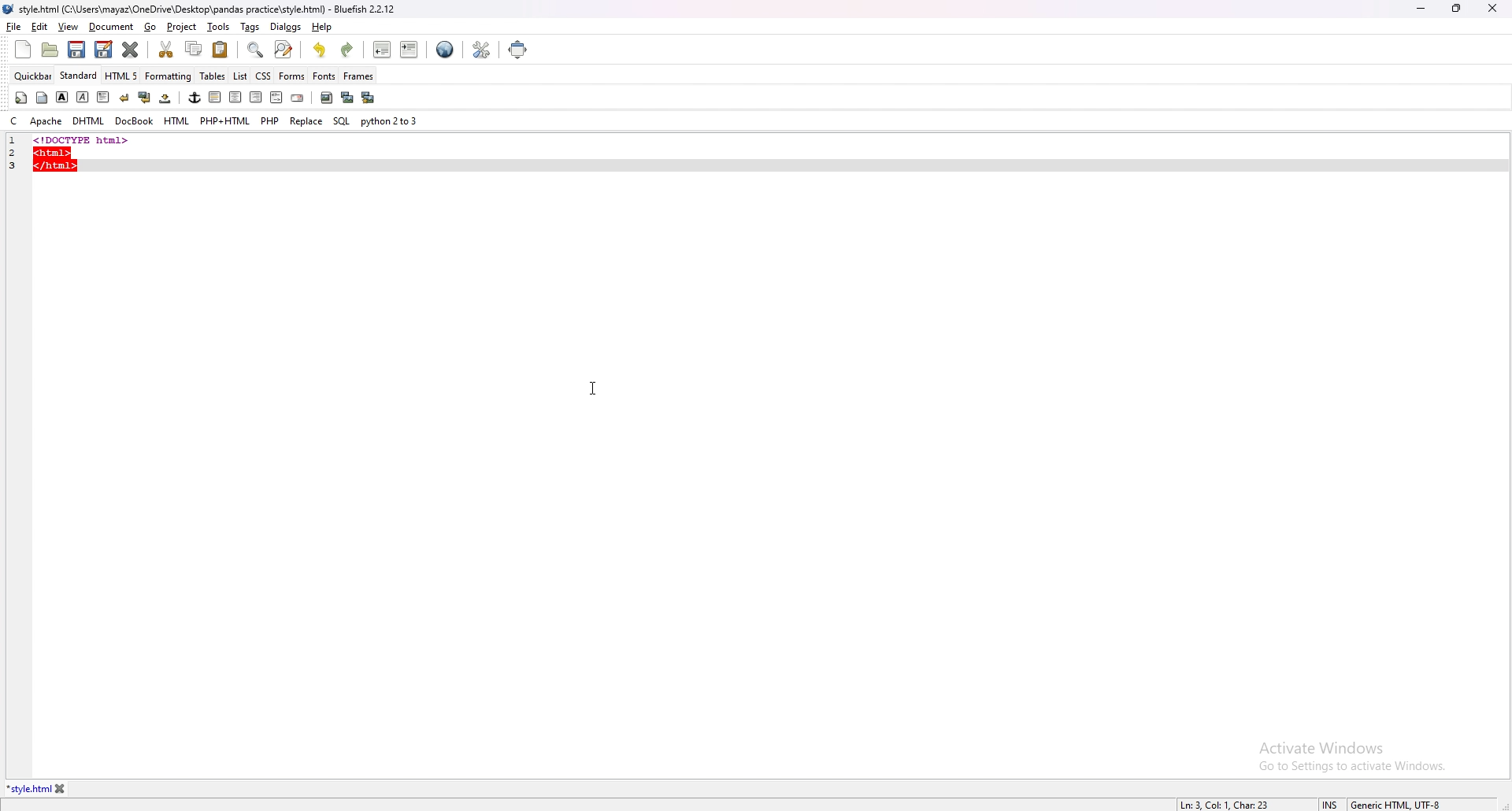 This screenshot has width=1512, height=811. What do you see at coordinates (480, 49) in the screenshot?
I see `edit preference` at bounding box center [480, 49].